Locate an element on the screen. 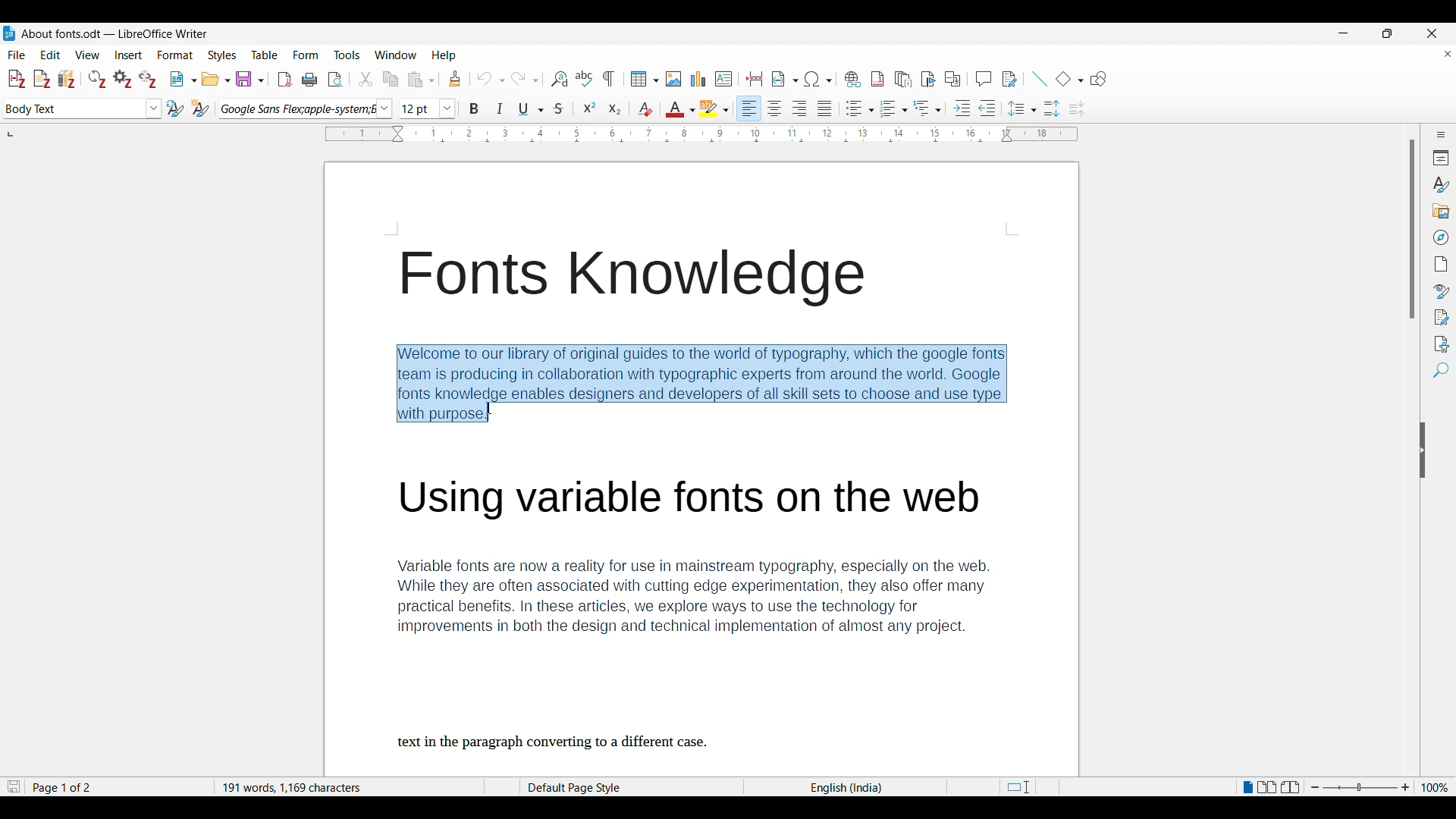 Image resolution: width=1456 pixels, height=819 pixels. Hide sidebar is located at coordinates (1423, 450).